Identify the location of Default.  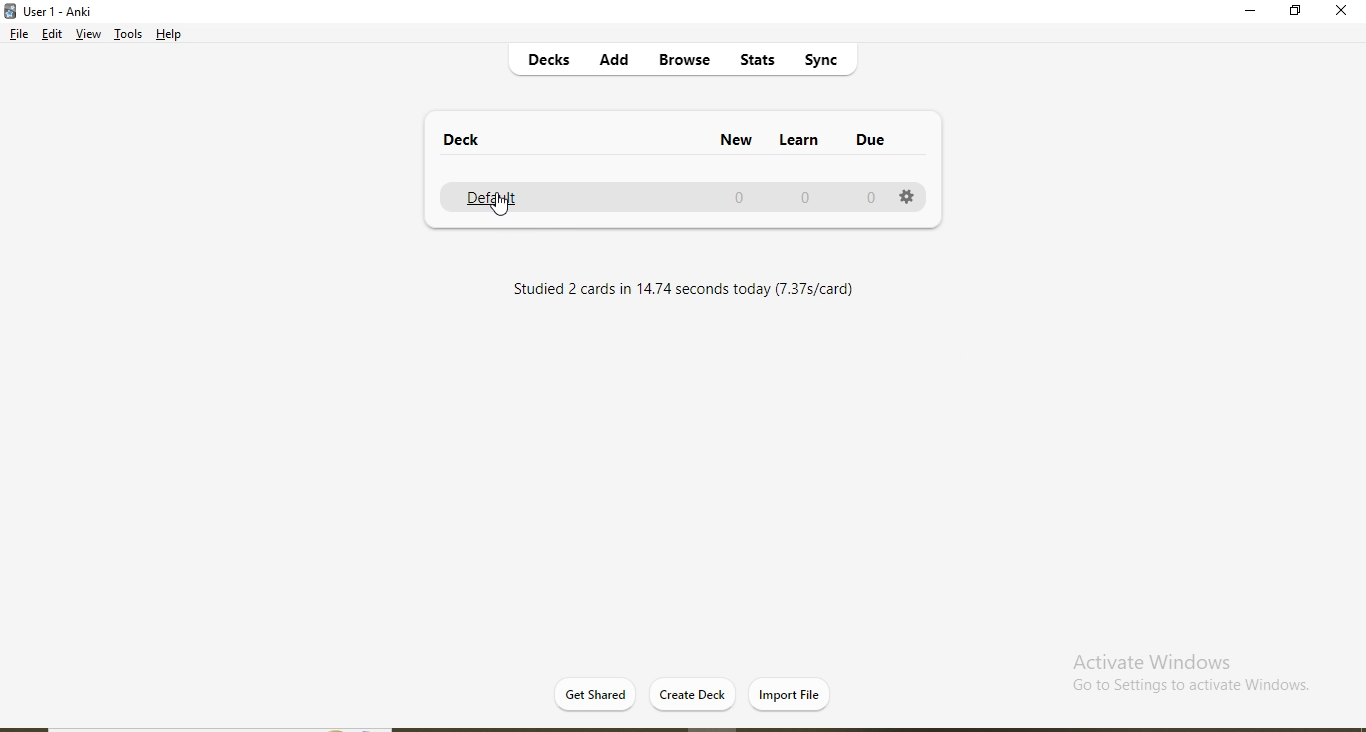
(493, 197).